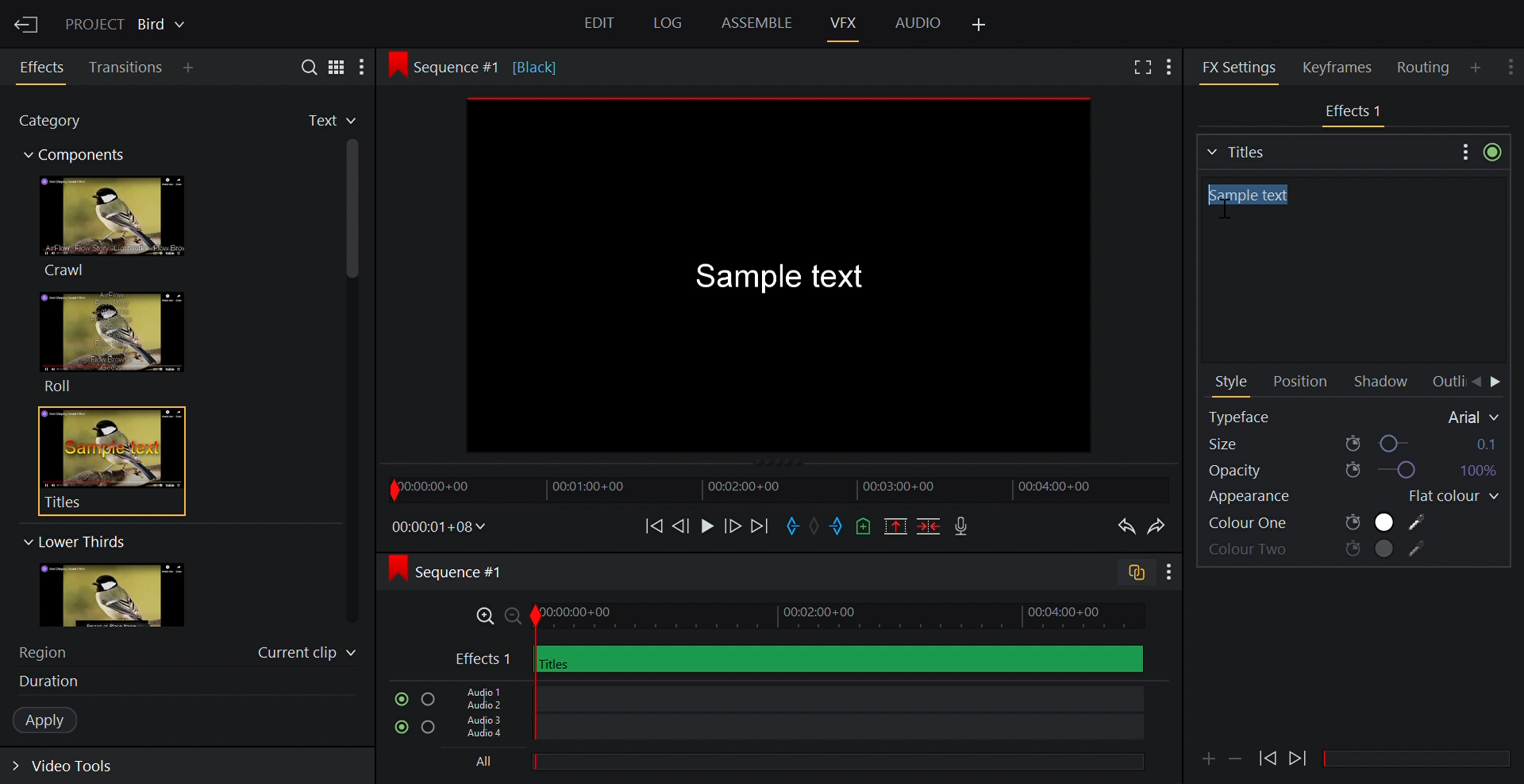  I want to click on Audio Track 1, Audio Track 2, so click(794, 697).